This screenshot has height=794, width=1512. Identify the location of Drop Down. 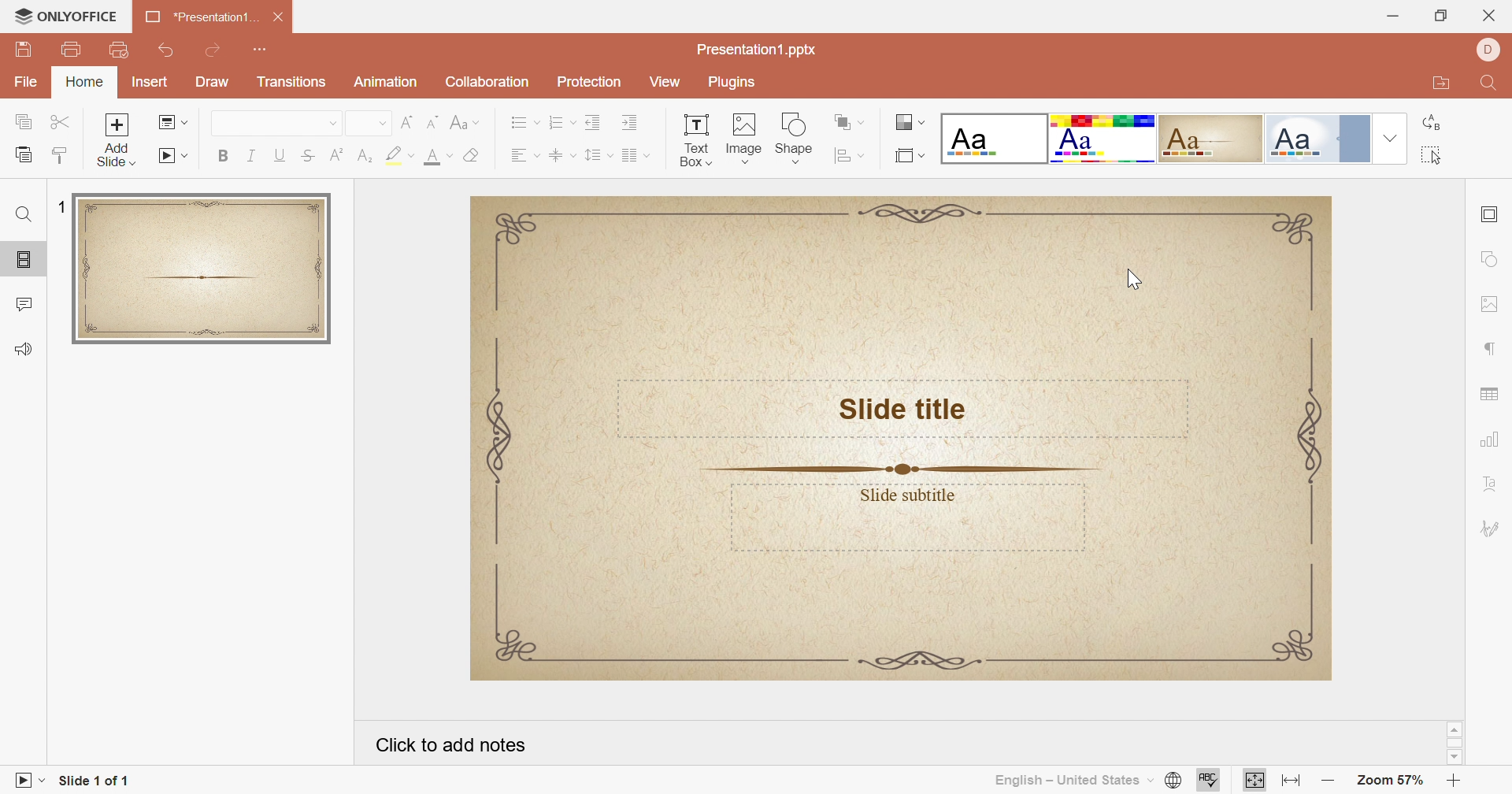
(537, 154).